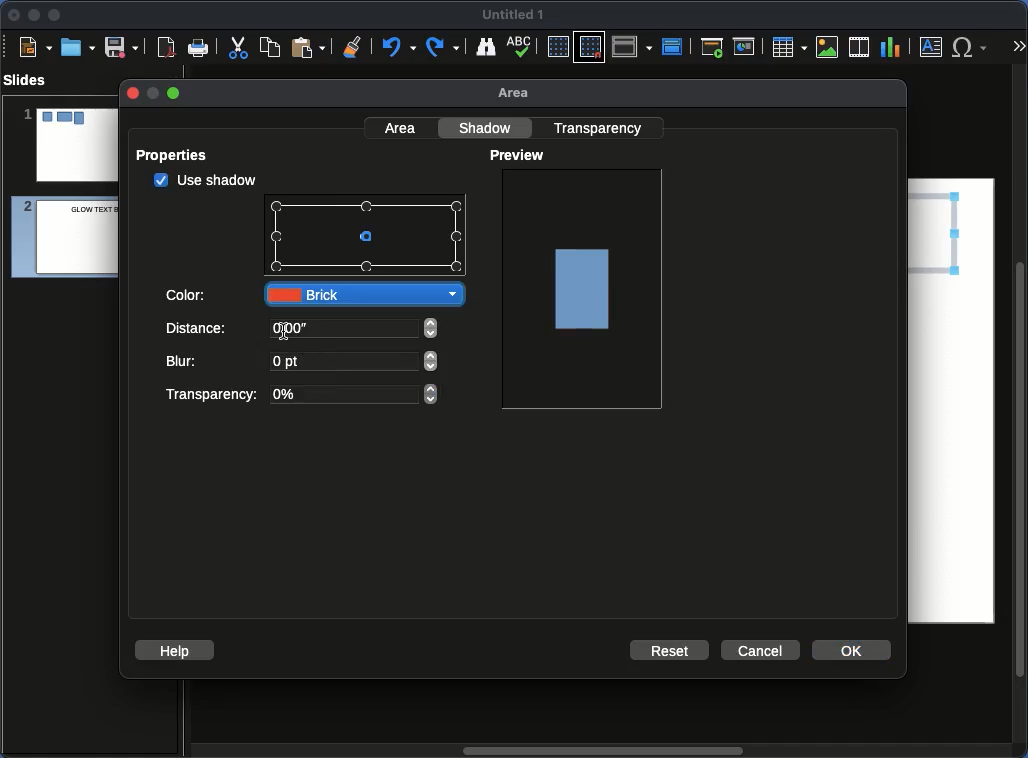 The image size is (1028, 758). What do you see at coordinates (853, 649) in the screenshot?
I see `OK` at bounding box center [853, 649].